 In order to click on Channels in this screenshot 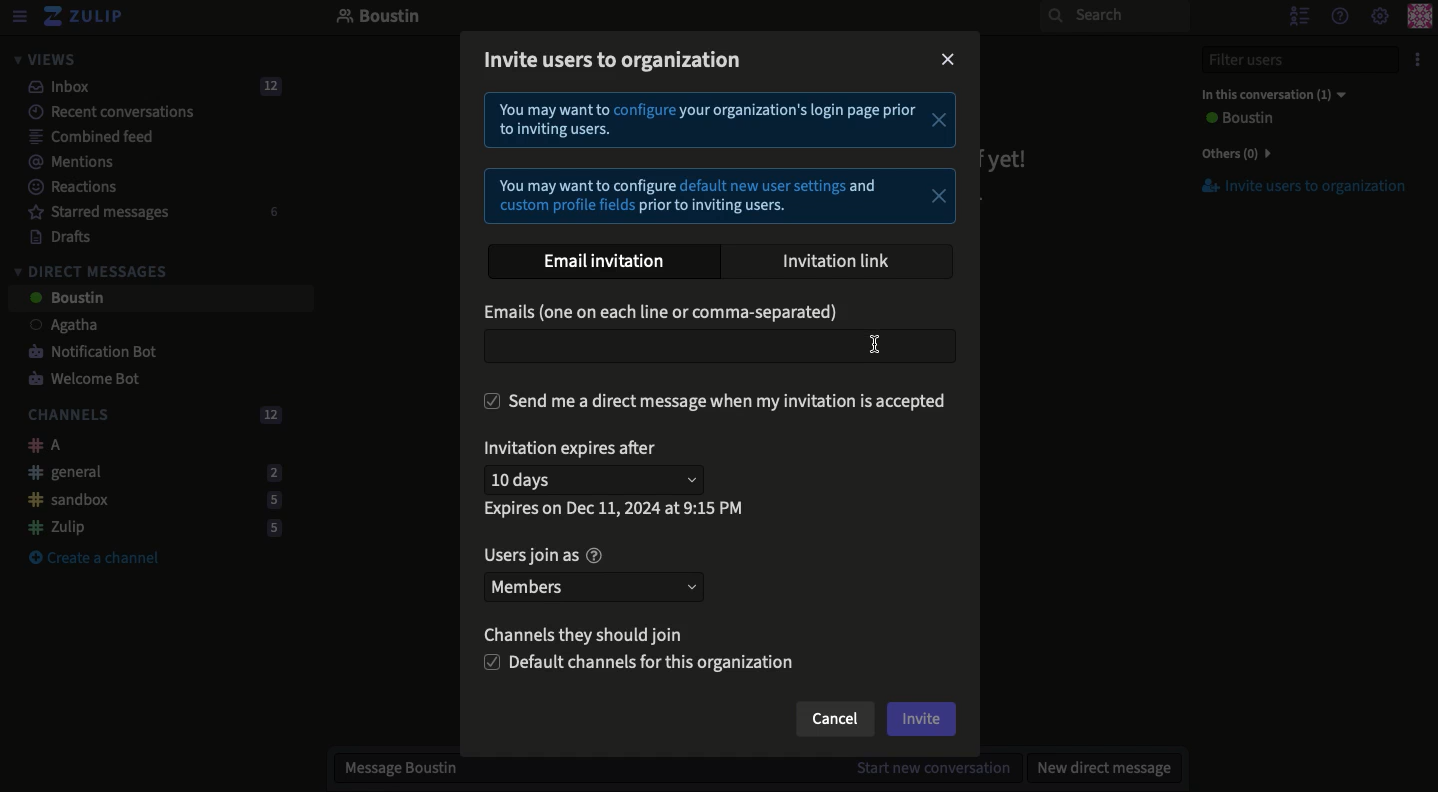, I will do `click(150, 416)`.